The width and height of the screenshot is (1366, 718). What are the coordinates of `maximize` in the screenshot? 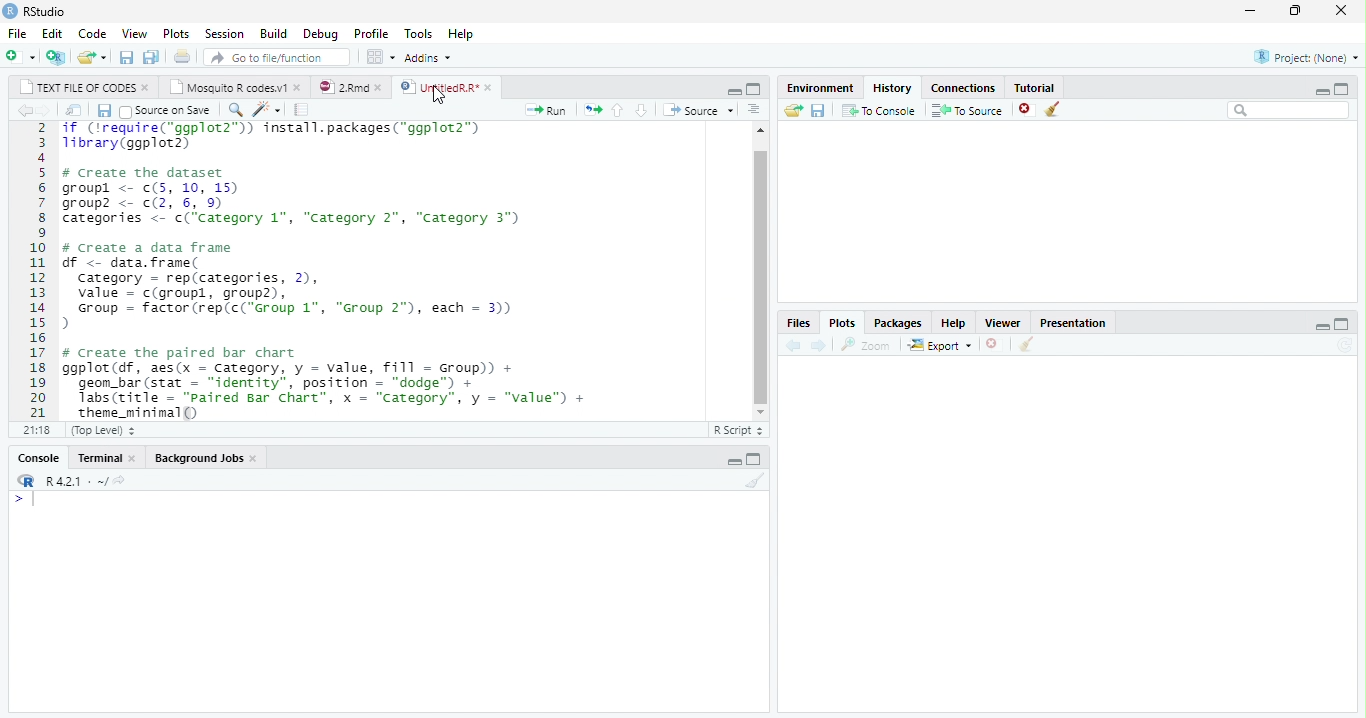 It's located at (1343, 325).